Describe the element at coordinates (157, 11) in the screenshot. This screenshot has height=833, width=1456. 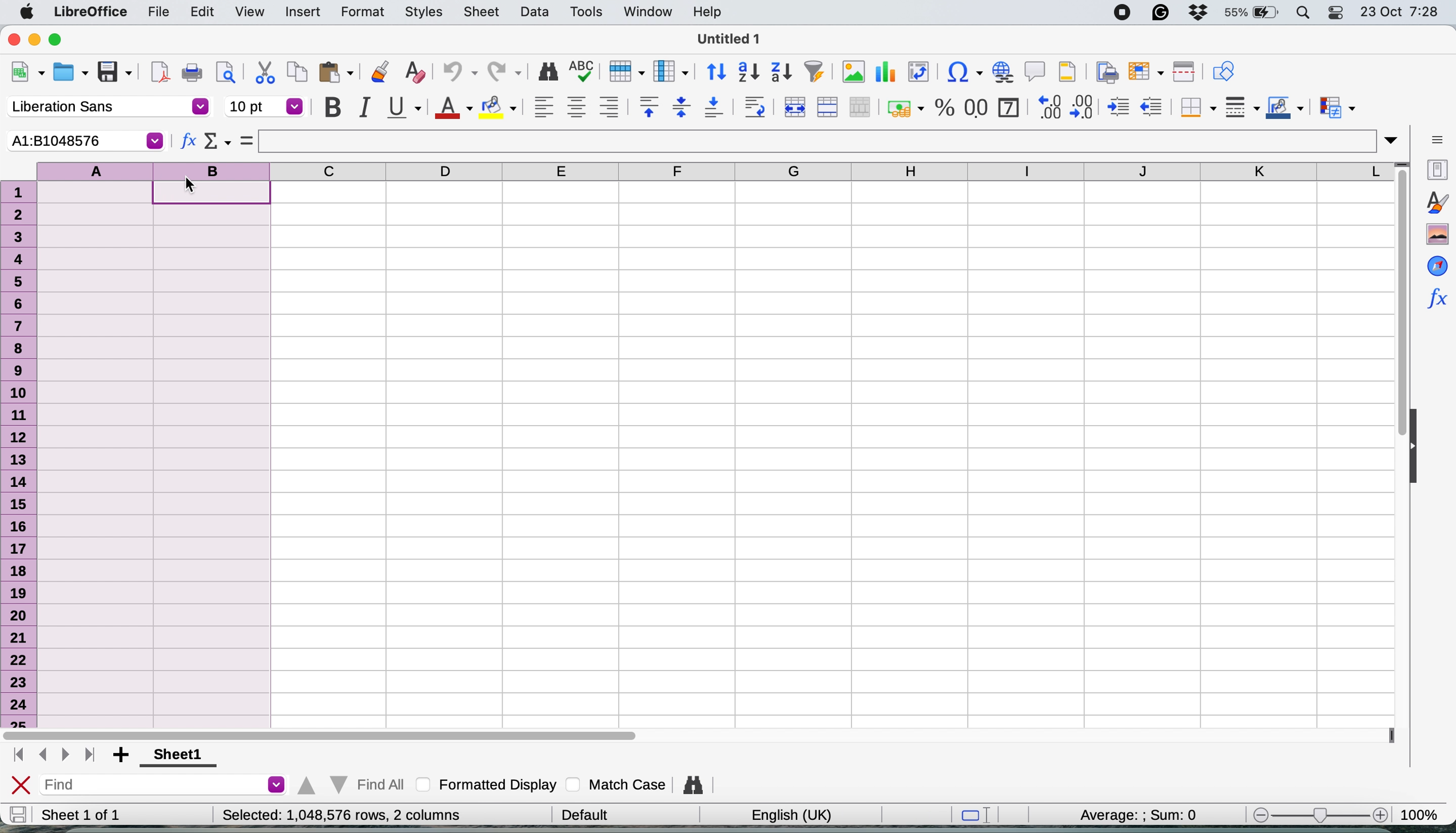
I see `file` at that location.